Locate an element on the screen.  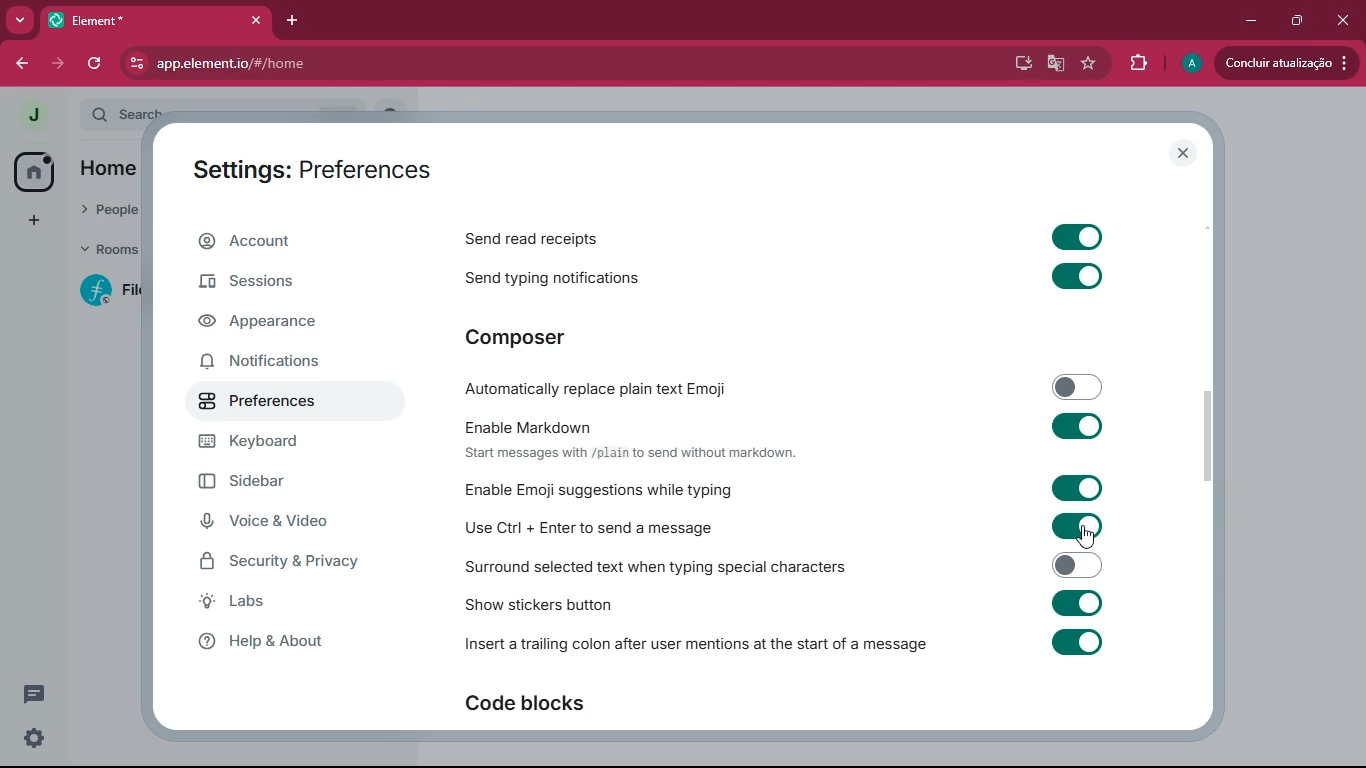
google translate is located at coordinates (1054, 66).